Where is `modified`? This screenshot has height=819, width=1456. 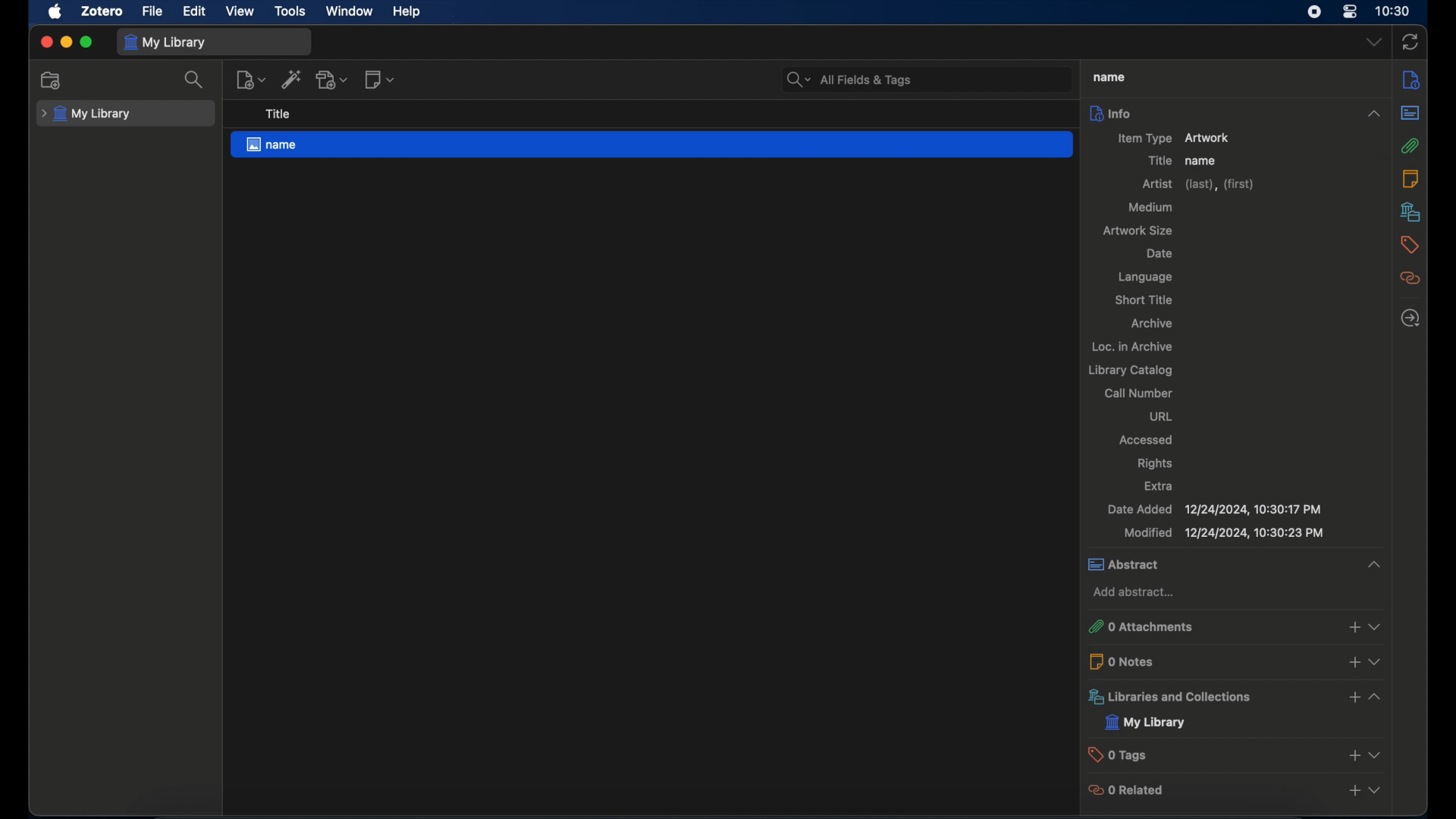 modified is located at coordinates (1224, 534).